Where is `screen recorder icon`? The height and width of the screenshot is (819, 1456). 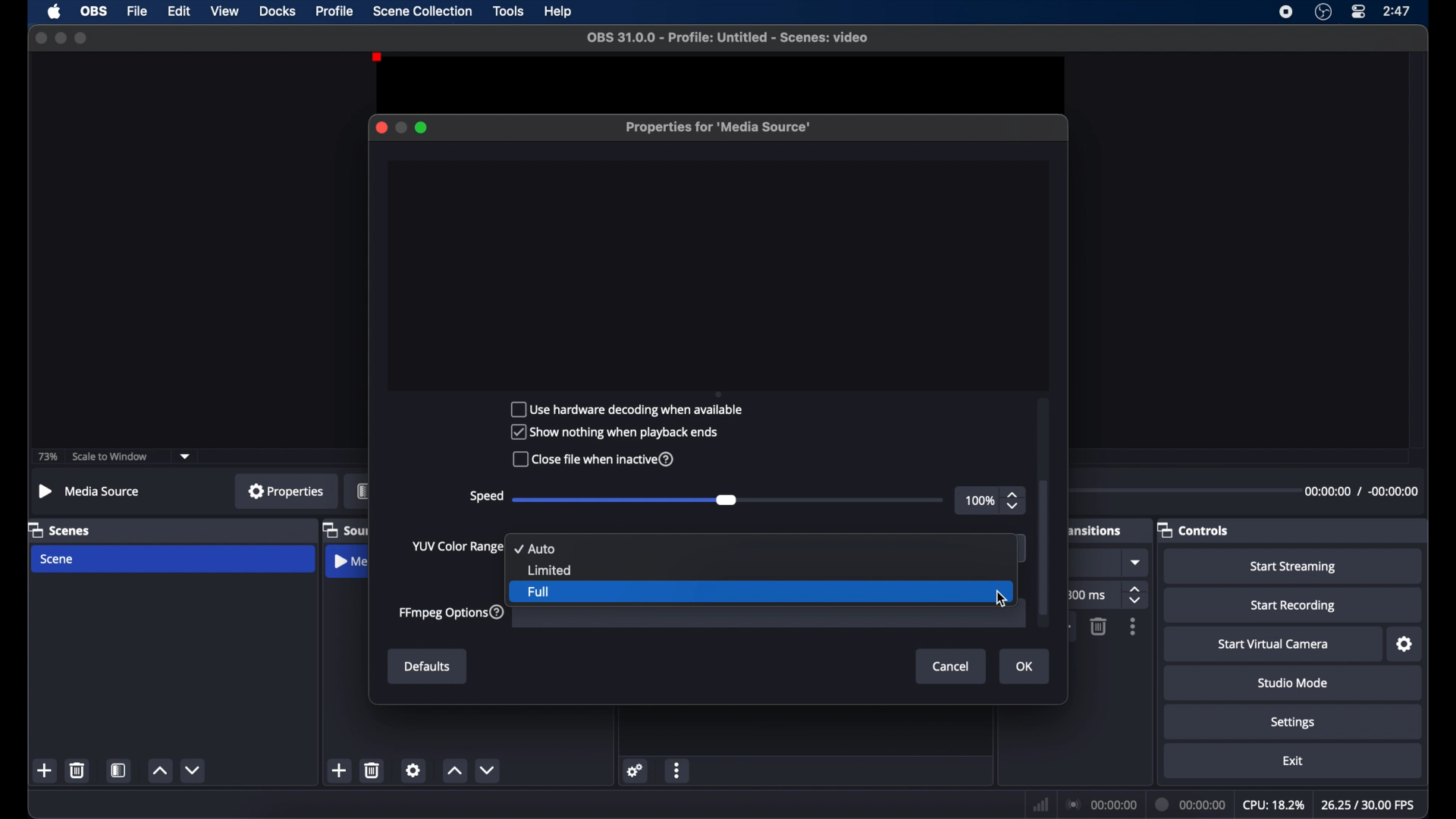
screen recorder icon is located at coordinates (1286, 12).